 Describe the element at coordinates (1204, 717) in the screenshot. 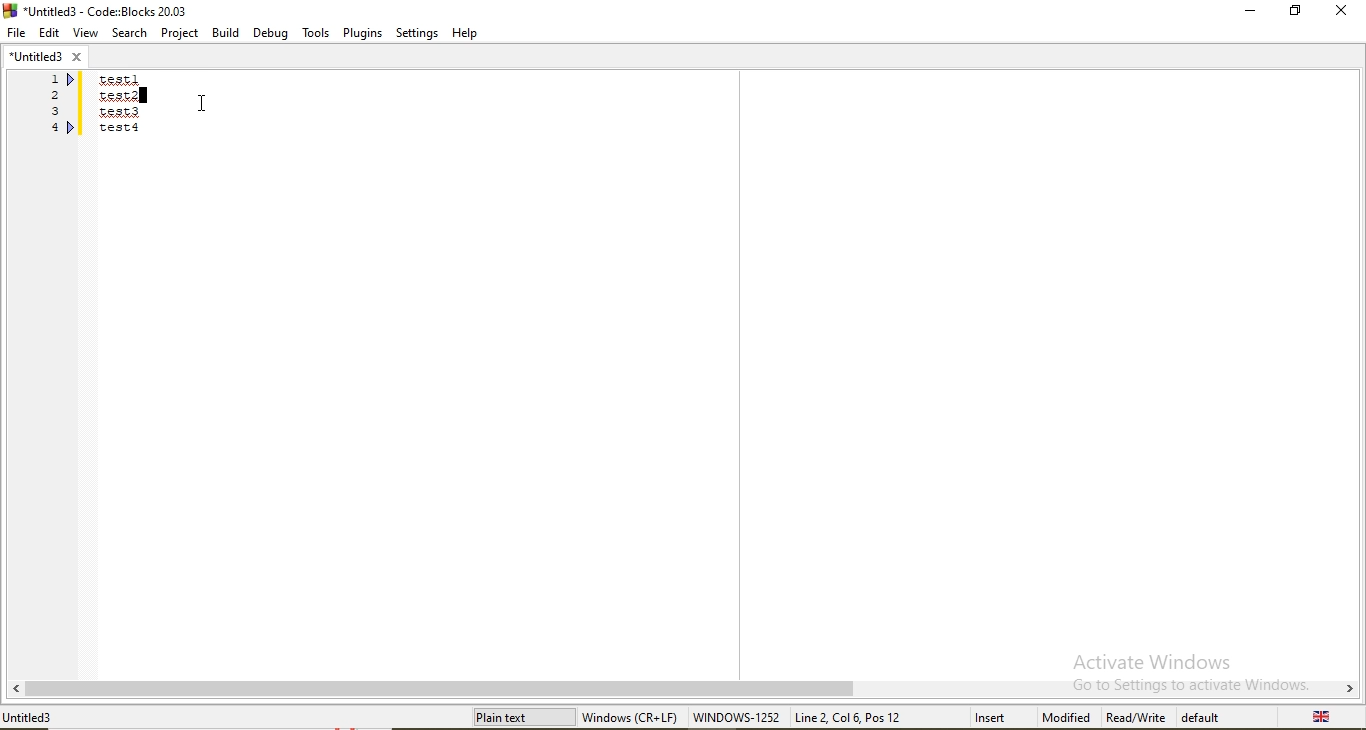

I see `default` at that location.